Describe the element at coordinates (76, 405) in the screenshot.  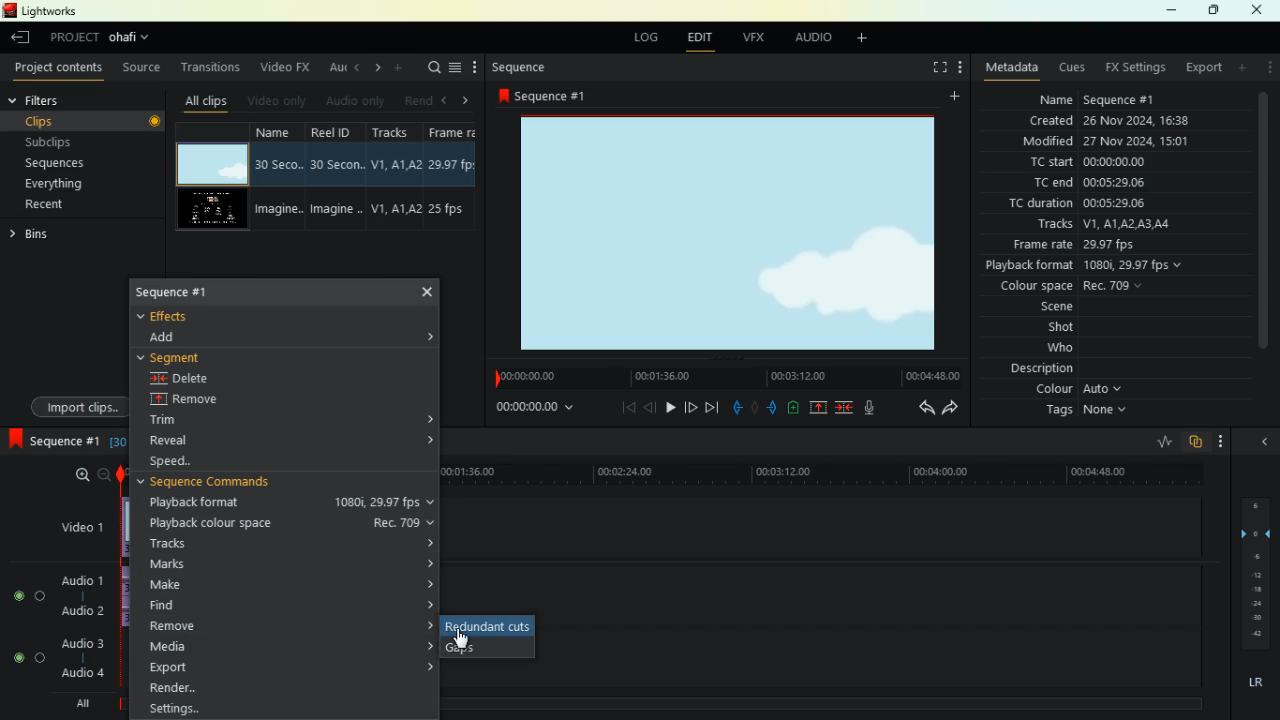
I see `import clips` at that location.